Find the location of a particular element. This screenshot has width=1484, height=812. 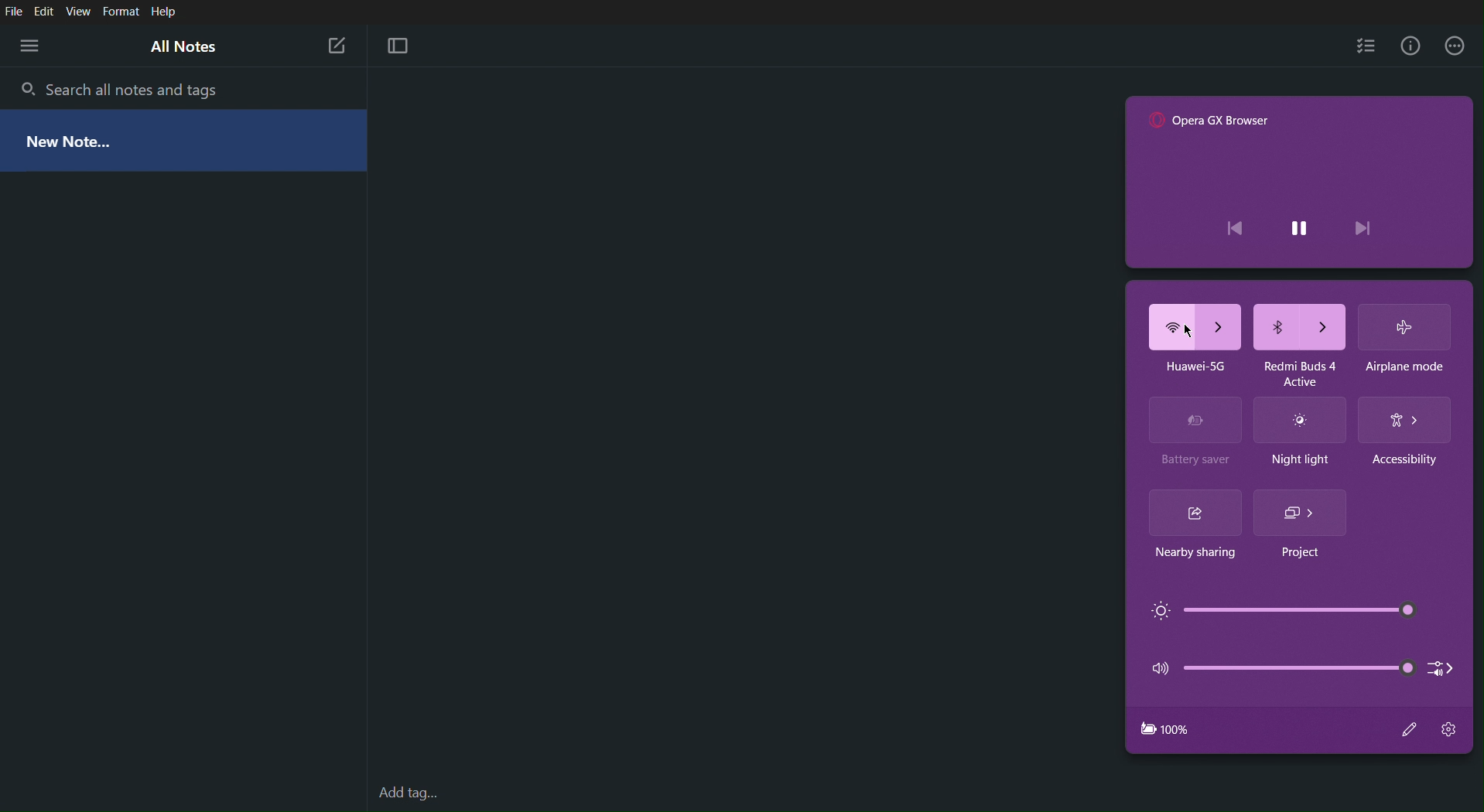

New Note is located at coordinates (74, 138).